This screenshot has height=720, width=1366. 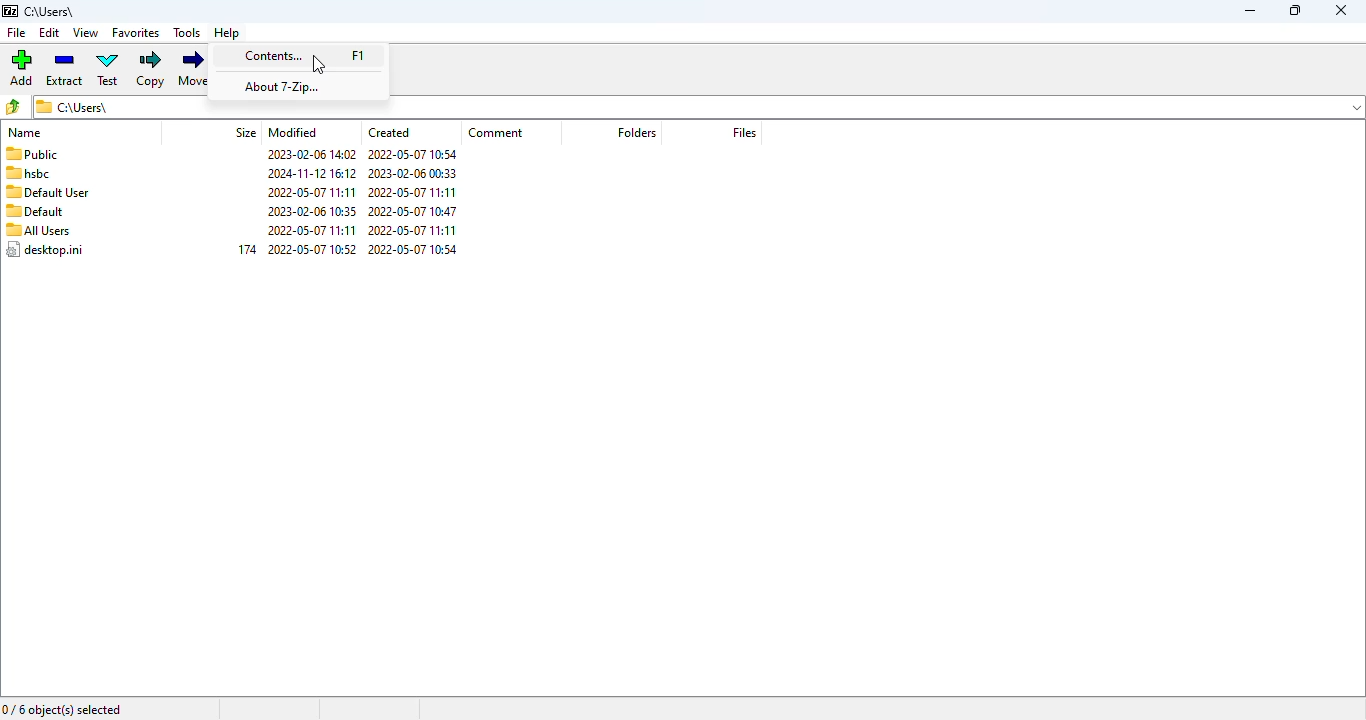 I want to click on current folder, so click(x=683, y=109).